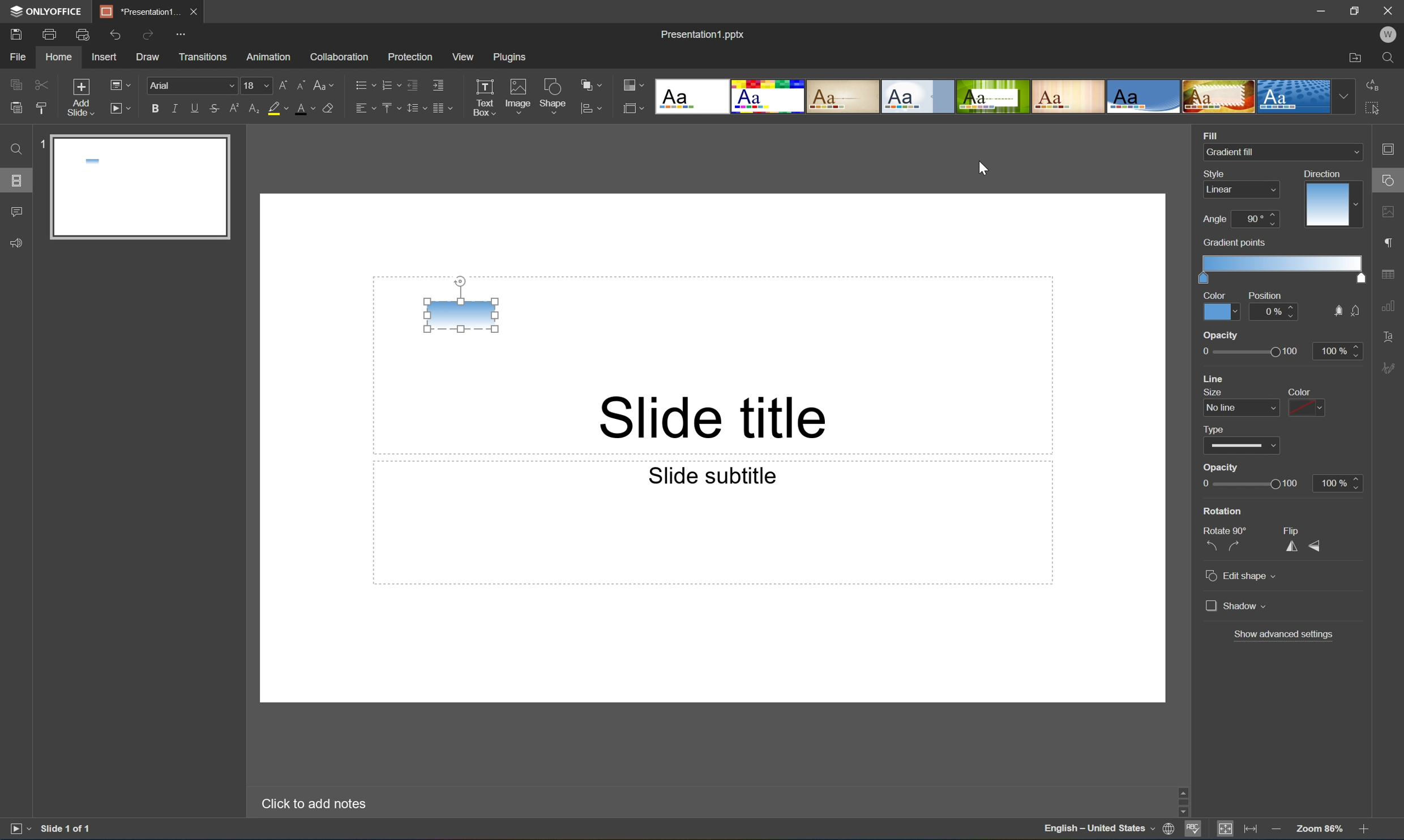  I want to click on 0%, so click(1275, 311).